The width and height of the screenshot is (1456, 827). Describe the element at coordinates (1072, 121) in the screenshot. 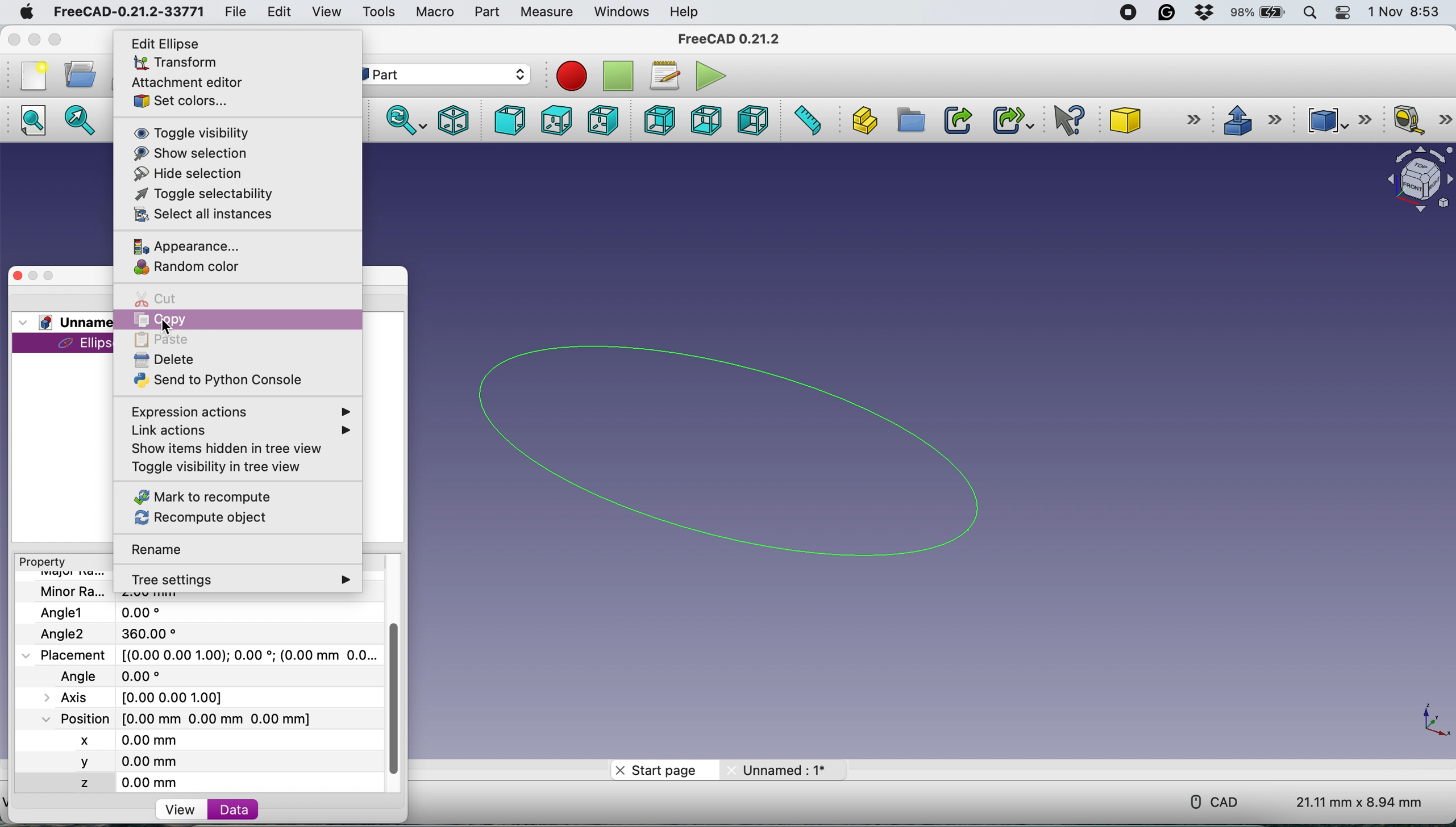

I see `what's this` at that location.